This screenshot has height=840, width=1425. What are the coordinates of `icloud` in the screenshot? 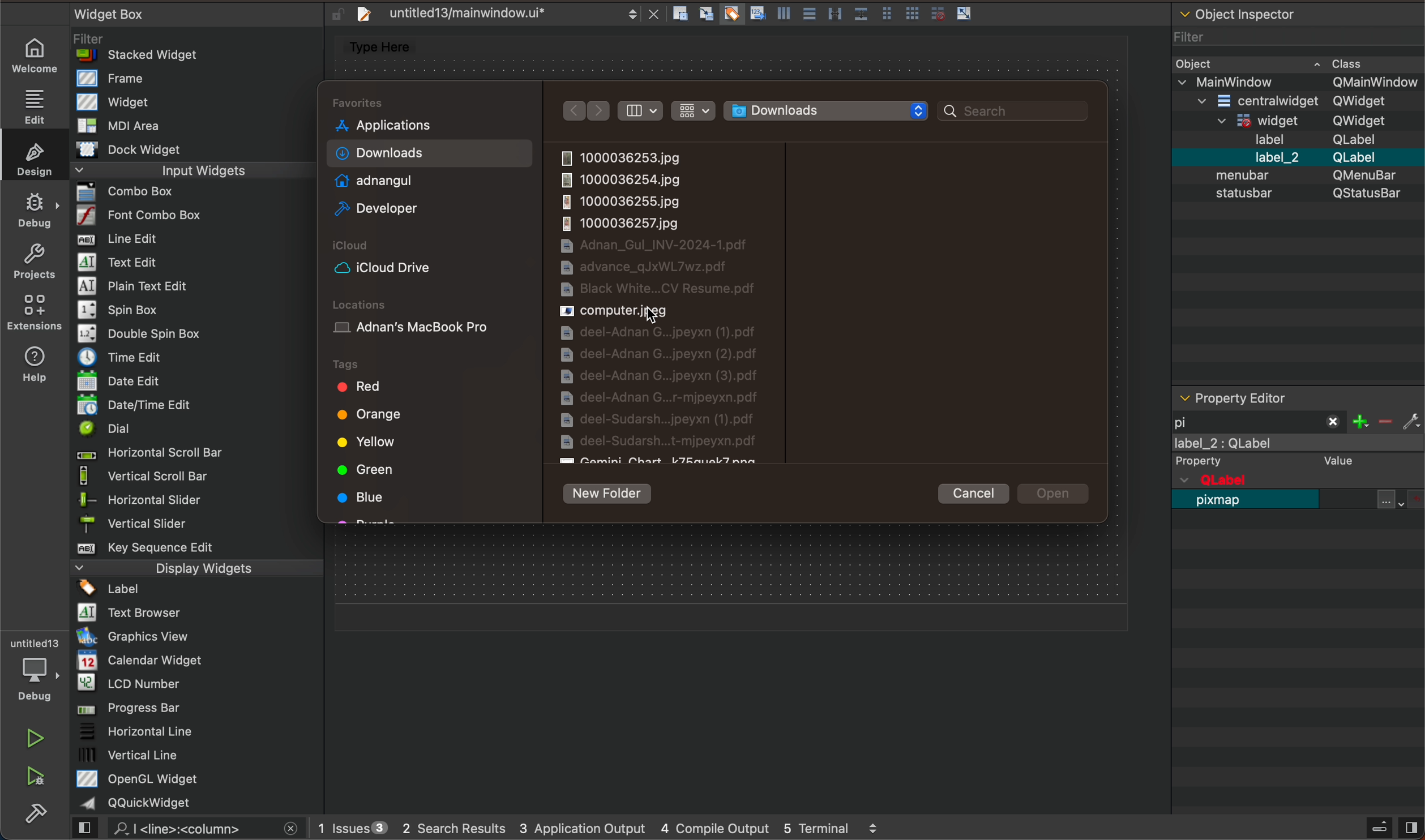 It's located at (426, 267).